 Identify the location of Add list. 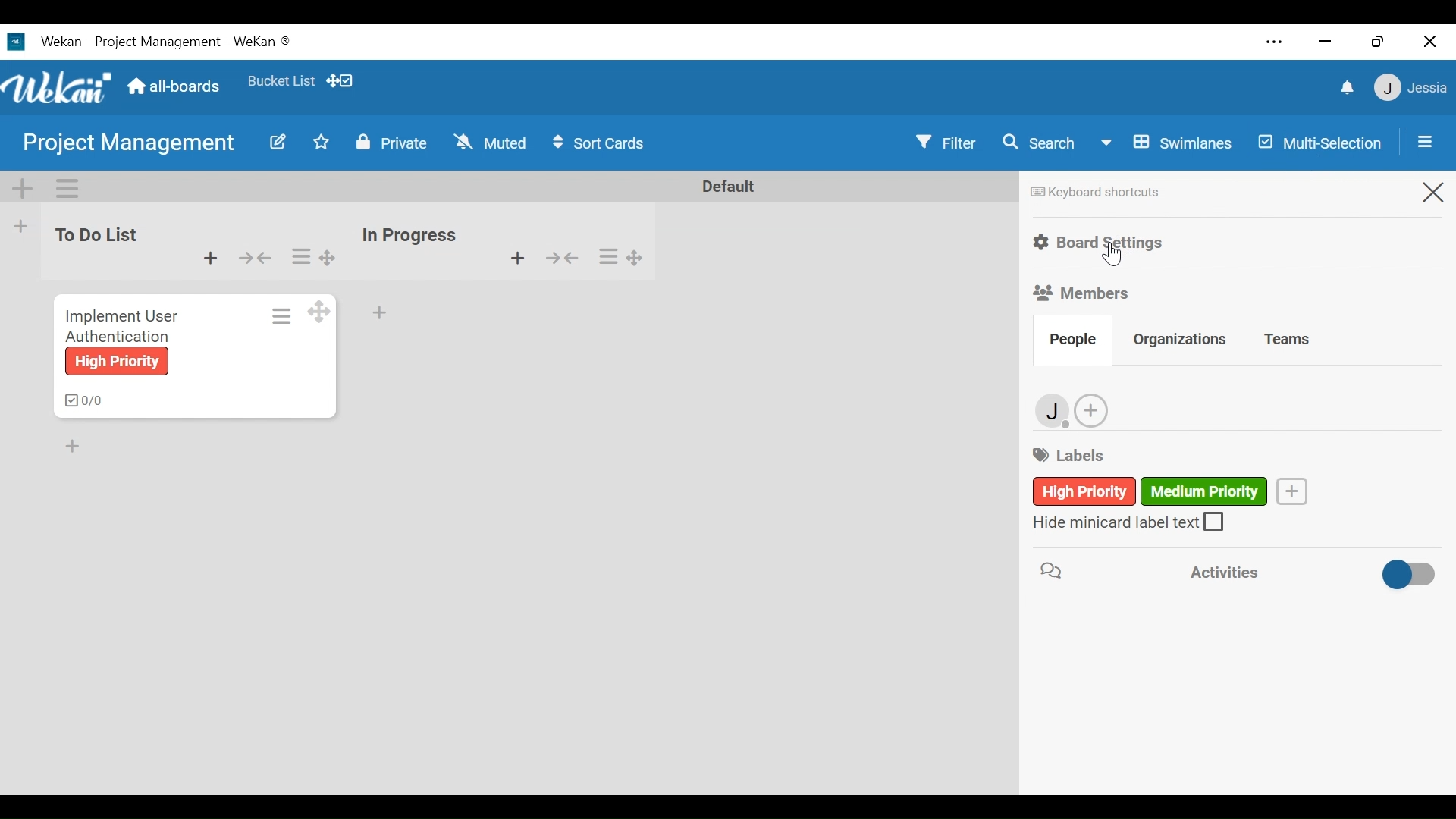
(19, 226).